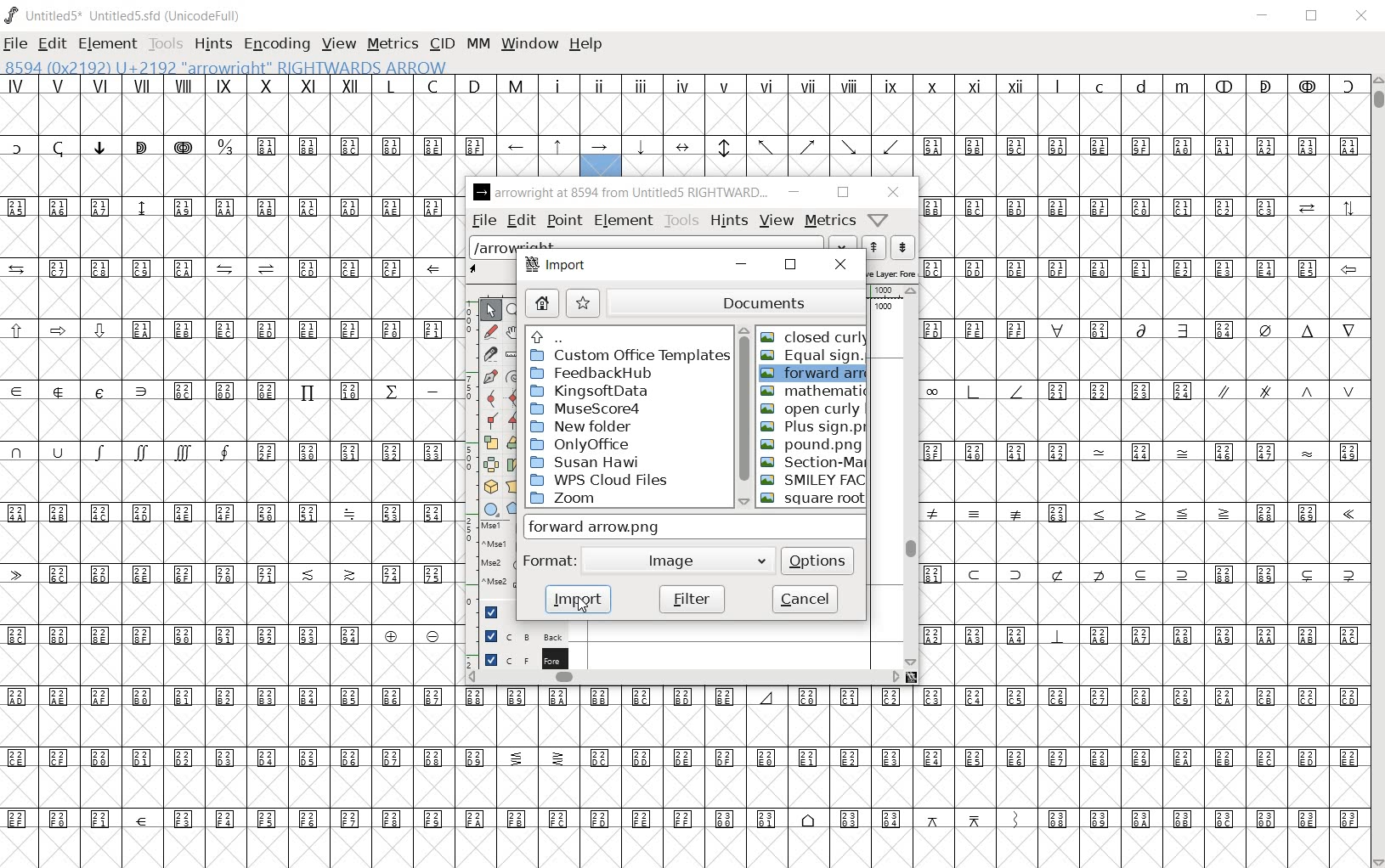 The height and width of the screenshot is (868, 1385). What do you see at coordinates (872, 247) in the screenshot?
I see `show the next word on the list` at bounding box center [872, 247].